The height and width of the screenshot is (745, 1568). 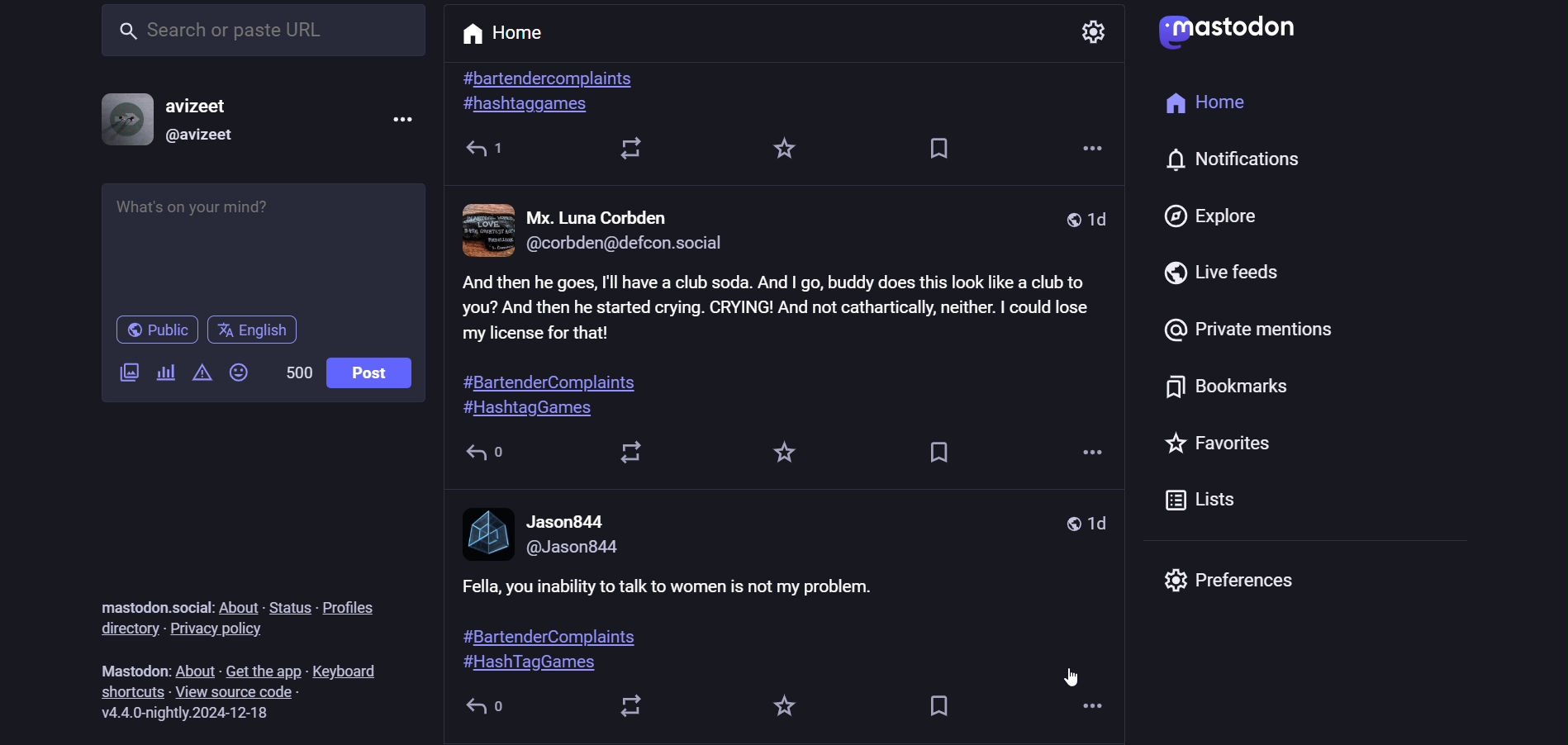 What do you see at coordinates (352, 670) in the screenshot?
I see `leyboard` at bounding box center [352, 670].